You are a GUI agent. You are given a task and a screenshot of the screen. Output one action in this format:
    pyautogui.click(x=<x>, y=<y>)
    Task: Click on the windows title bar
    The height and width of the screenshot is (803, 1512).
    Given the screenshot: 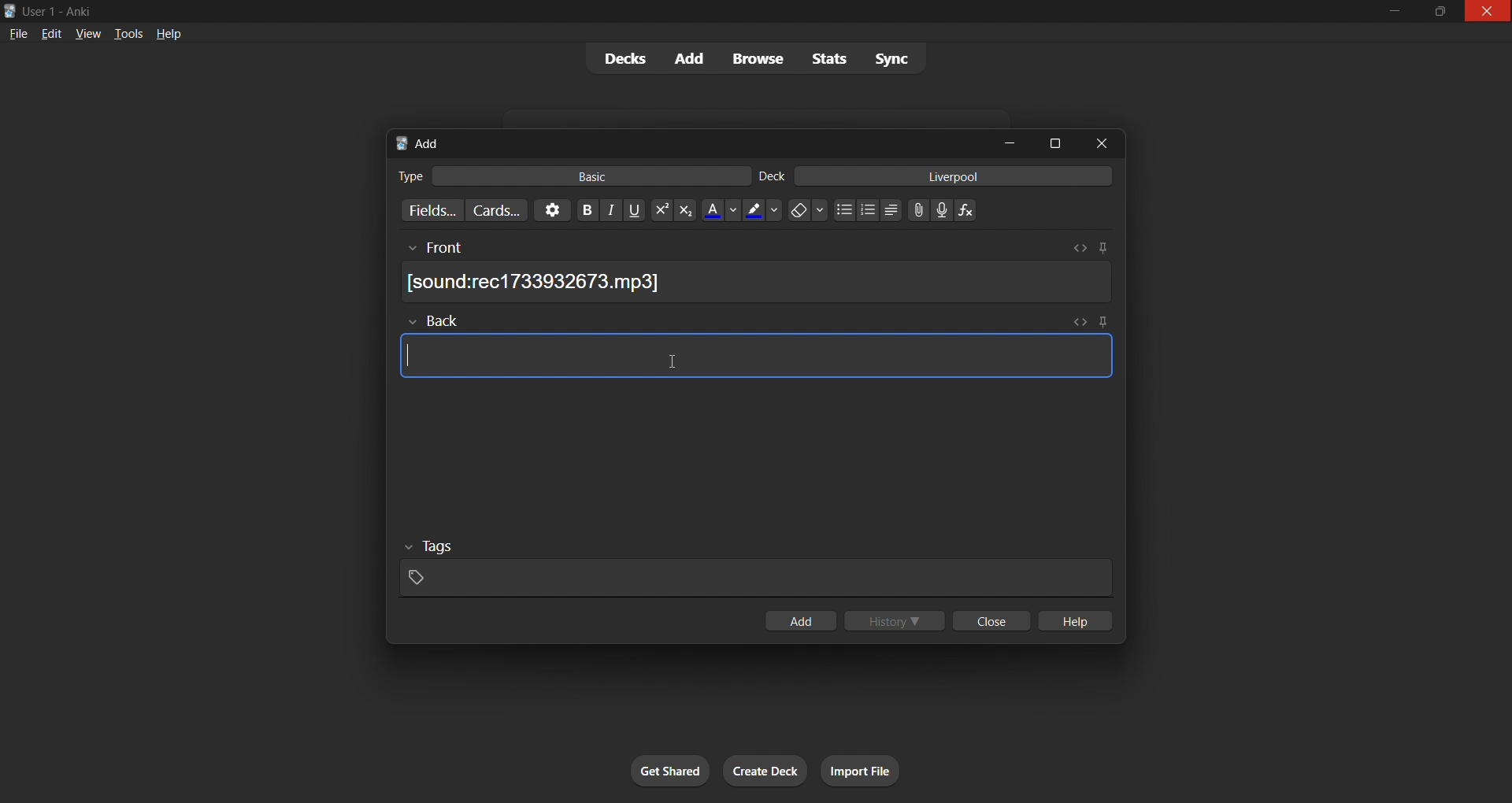 What is the action you would take?
    pyautogui.click(x=660, y=11)
    